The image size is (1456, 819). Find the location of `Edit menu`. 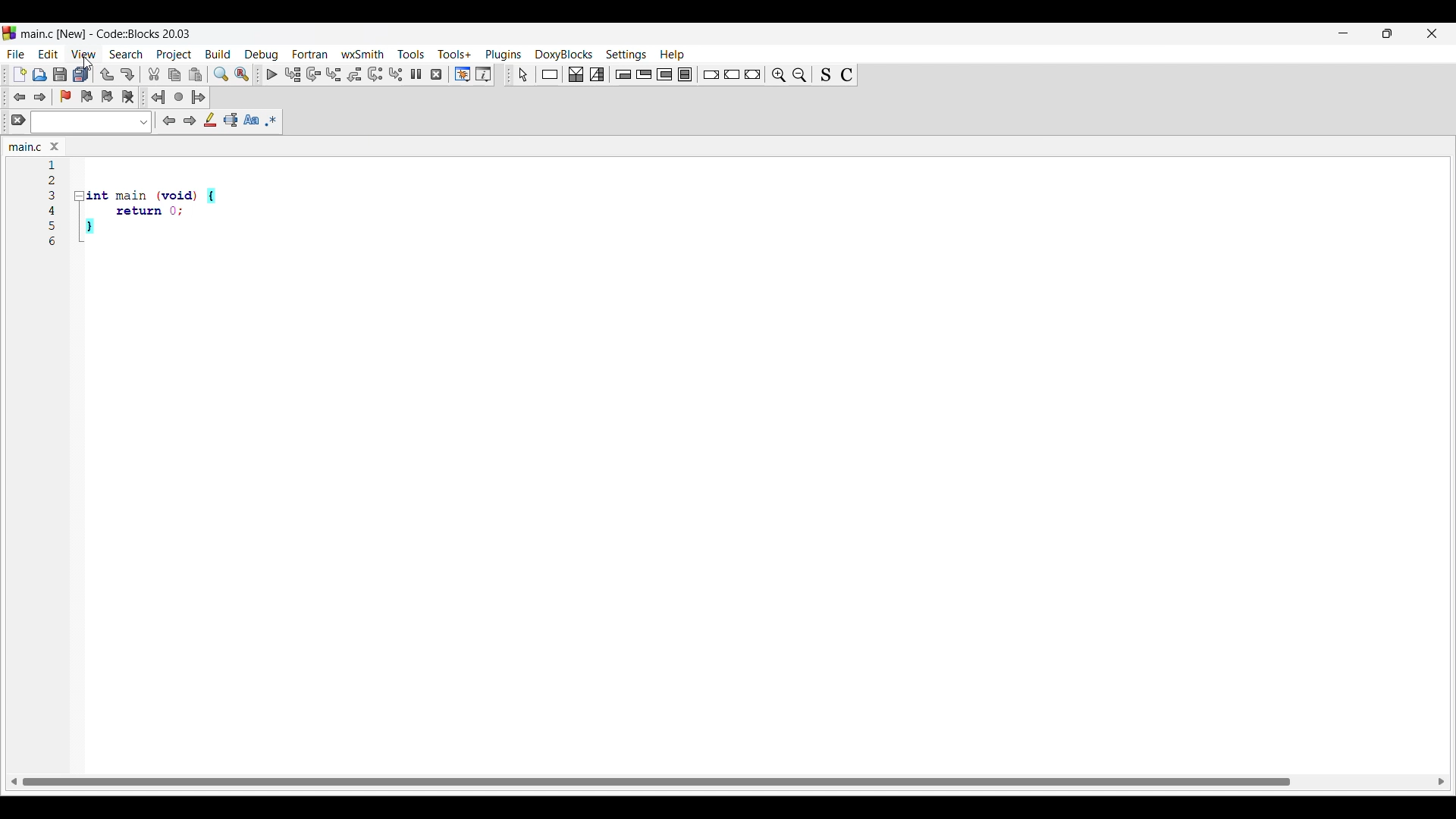

Edit menu is located at coordinates (49, 54).